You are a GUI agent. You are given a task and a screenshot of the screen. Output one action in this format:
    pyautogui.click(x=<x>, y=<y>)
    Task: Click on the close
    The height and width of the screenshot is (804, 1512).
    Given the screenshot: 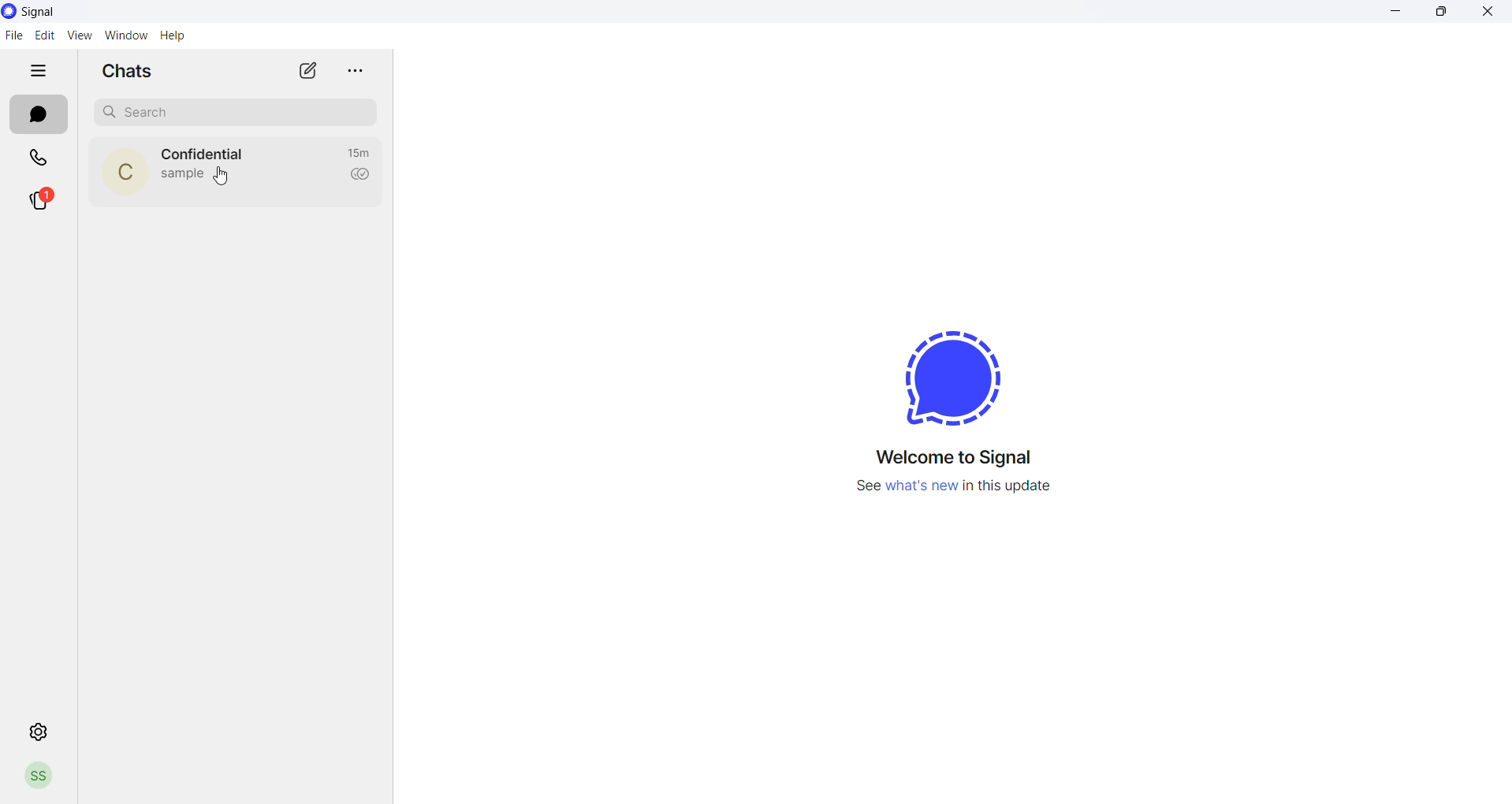 What is the action you would take?
    pyautogui.click(x=1492, y=15)
    